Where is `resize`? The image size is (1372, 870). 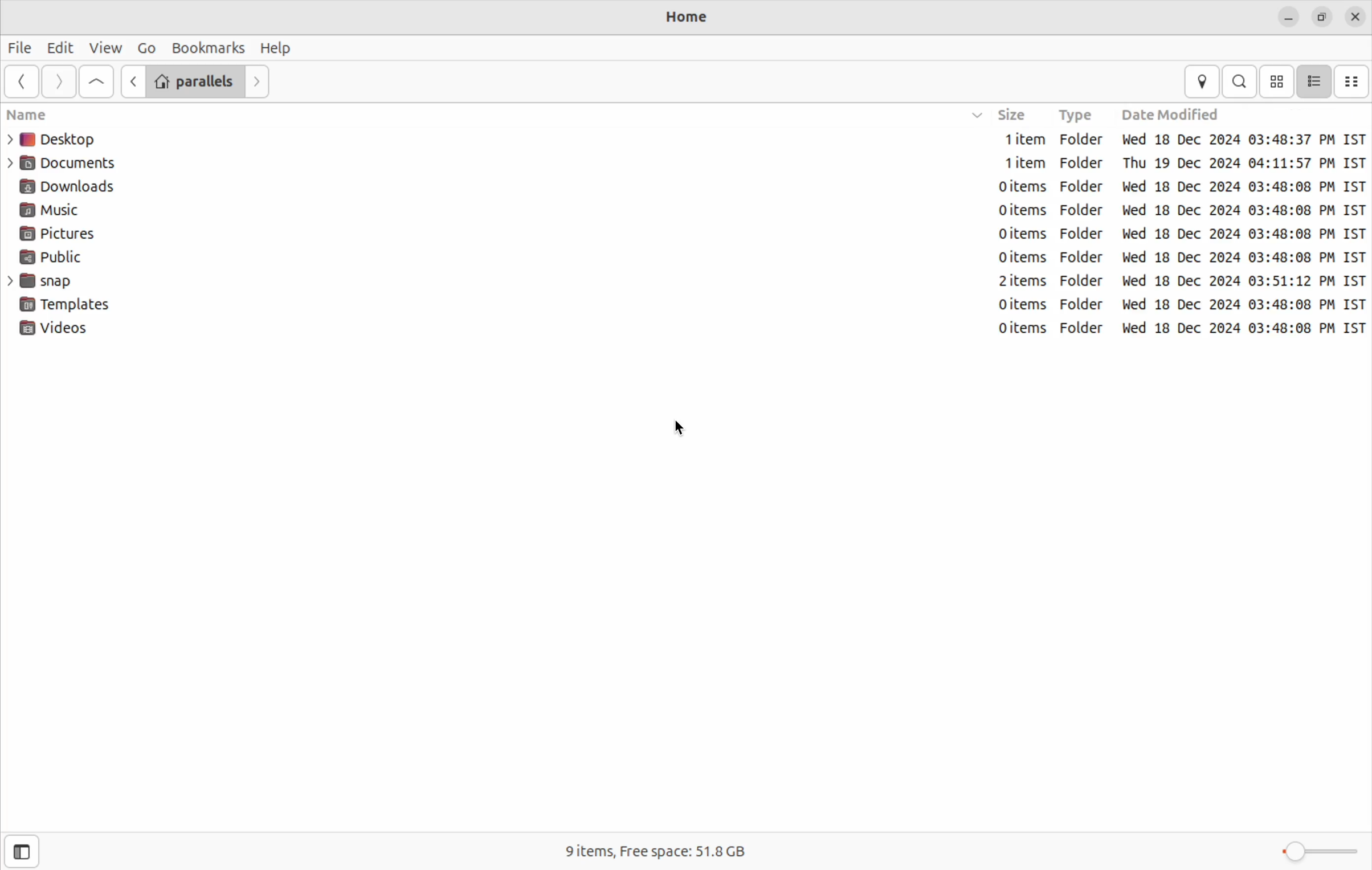
resize is located at coordinates (1324, 15).